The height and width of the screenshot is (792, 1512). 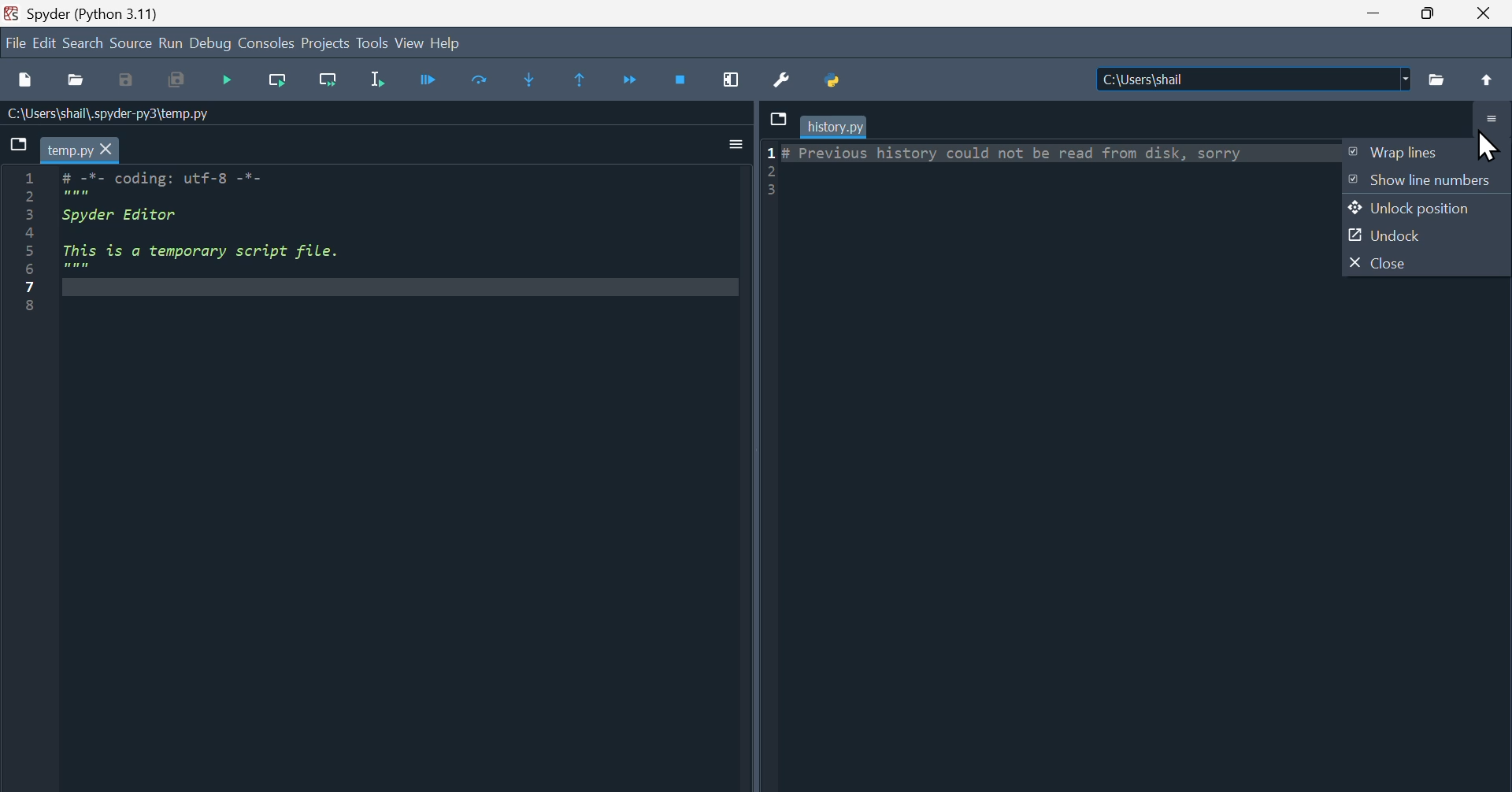 What do you see at coordinates (83, 45) in the screenshot?
I see `search` at bounding box center [83, 45].